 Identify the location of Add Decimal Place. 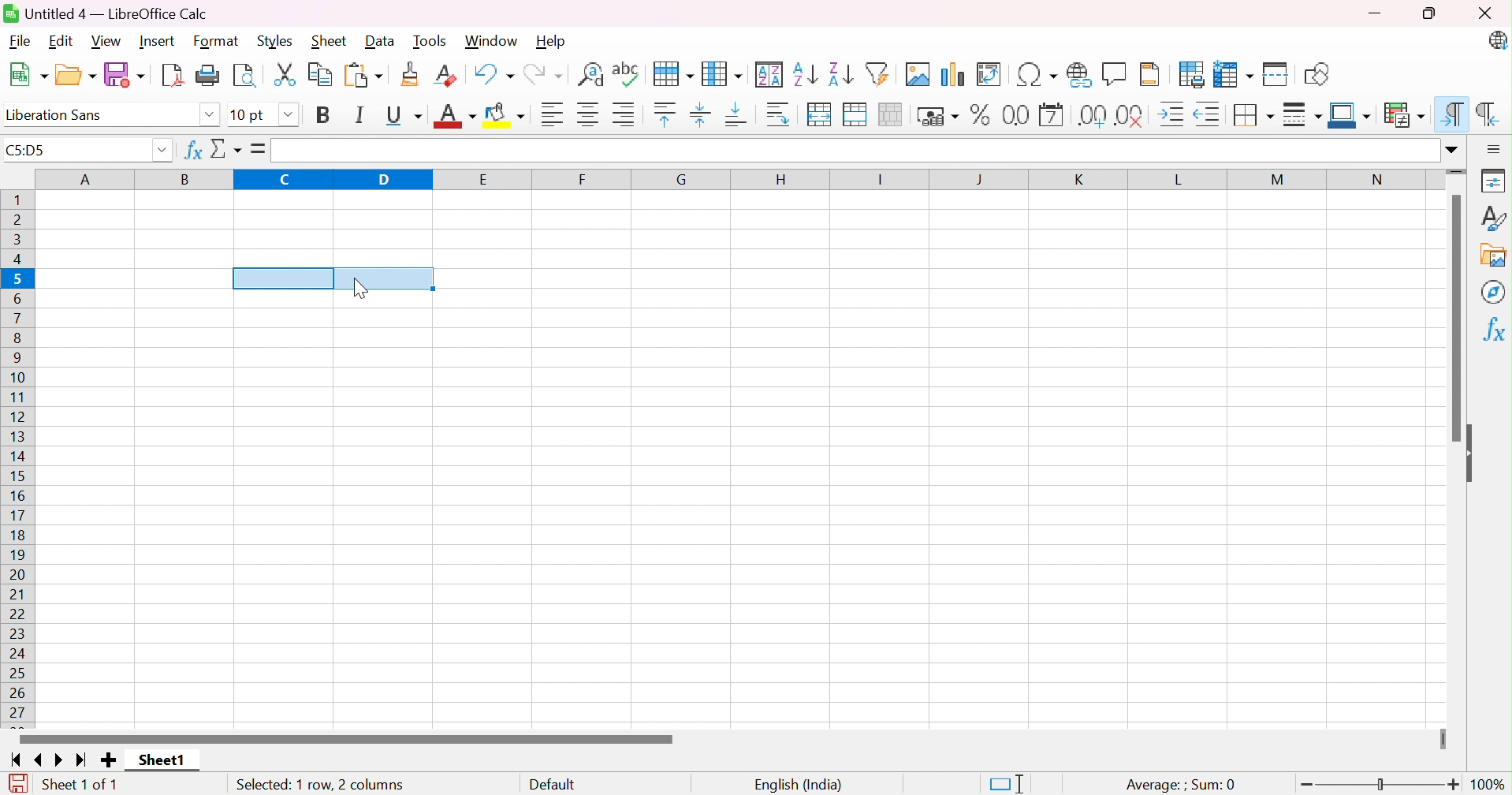
(1090, 114).